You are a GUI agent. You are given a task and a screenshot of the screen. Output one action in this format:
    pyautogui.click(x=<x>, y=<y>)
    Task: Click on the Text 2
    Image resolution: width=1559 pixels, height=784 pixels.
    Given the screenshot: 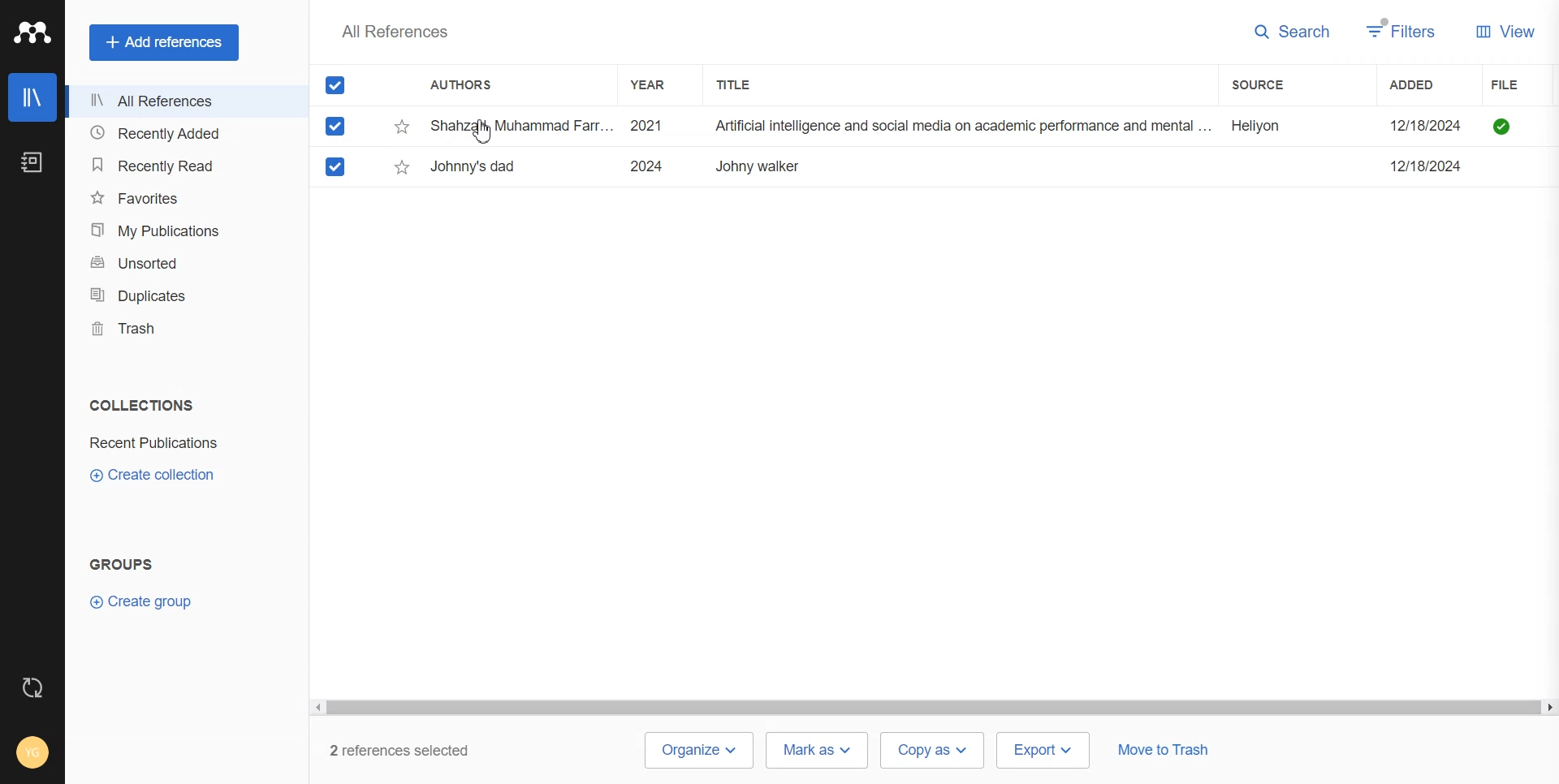 What is the action you would take?
    pyautogui.click(x=122, y=564)
    